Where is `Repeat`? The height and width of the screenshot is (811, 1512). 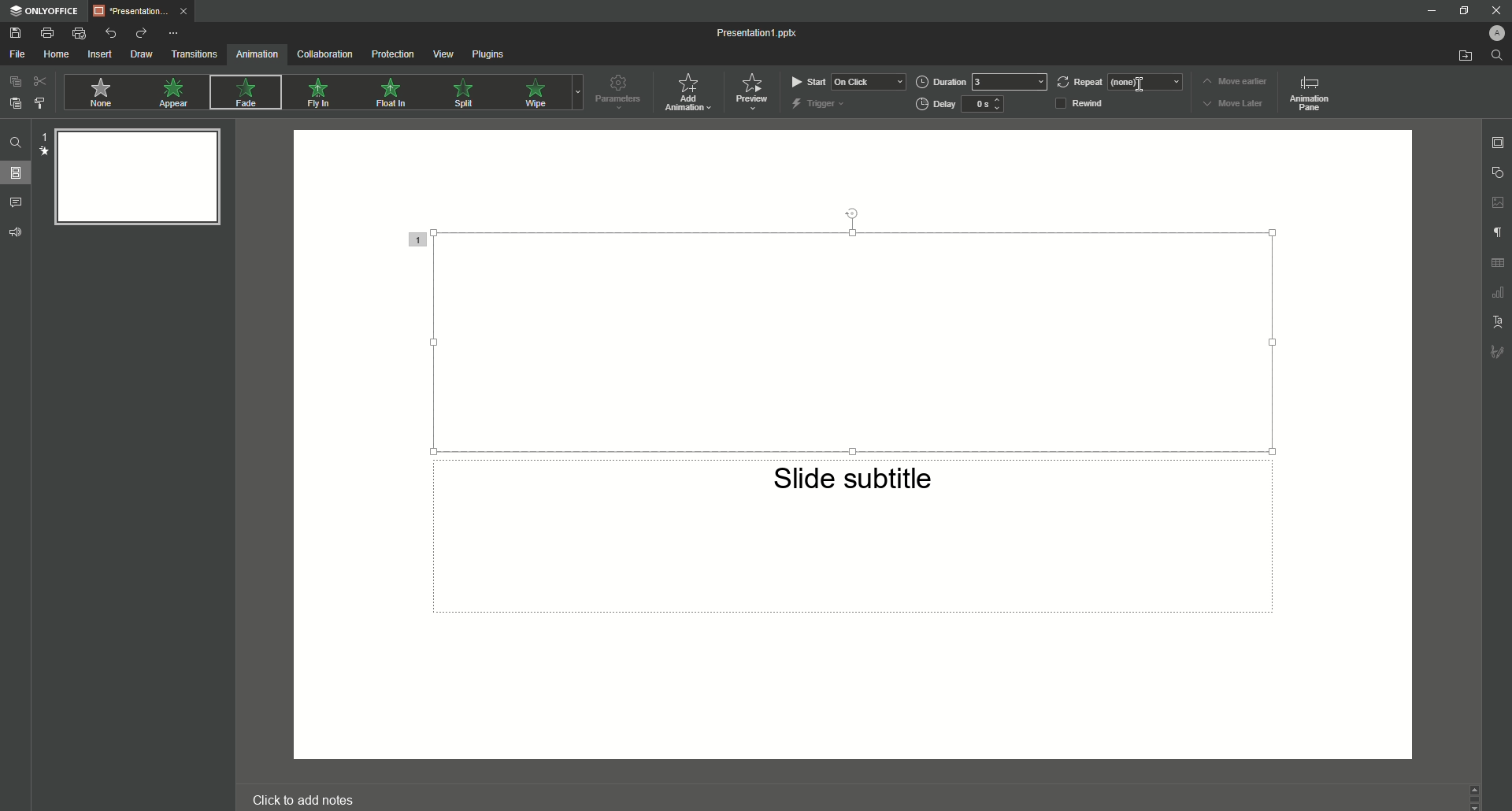
Repeat is located at coordinates (1118, 79).